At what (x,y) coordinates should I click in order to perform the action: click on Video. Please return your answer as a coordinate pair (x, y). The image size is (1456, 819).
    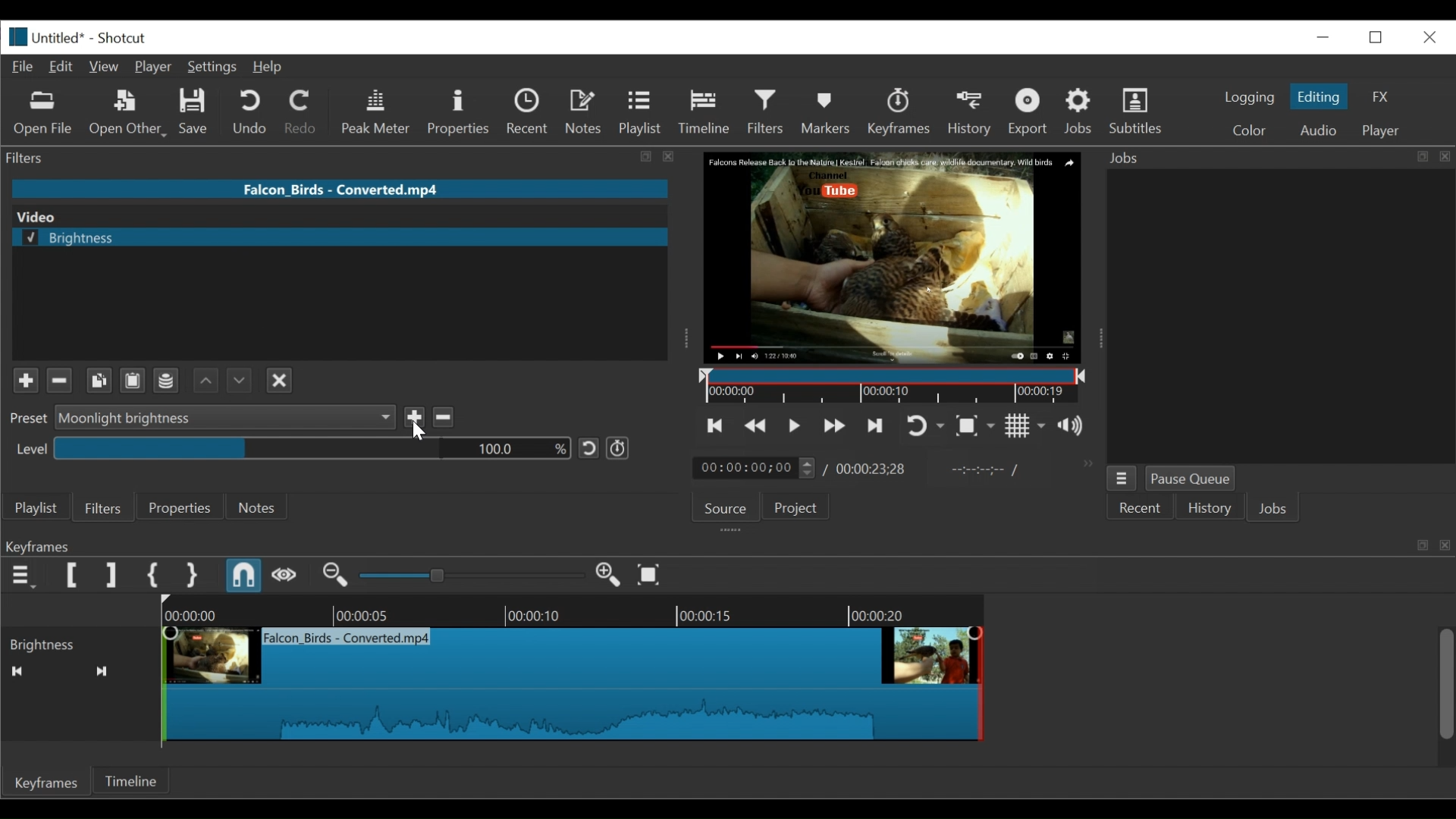
    Looking at the image, I should click on (331, 216).